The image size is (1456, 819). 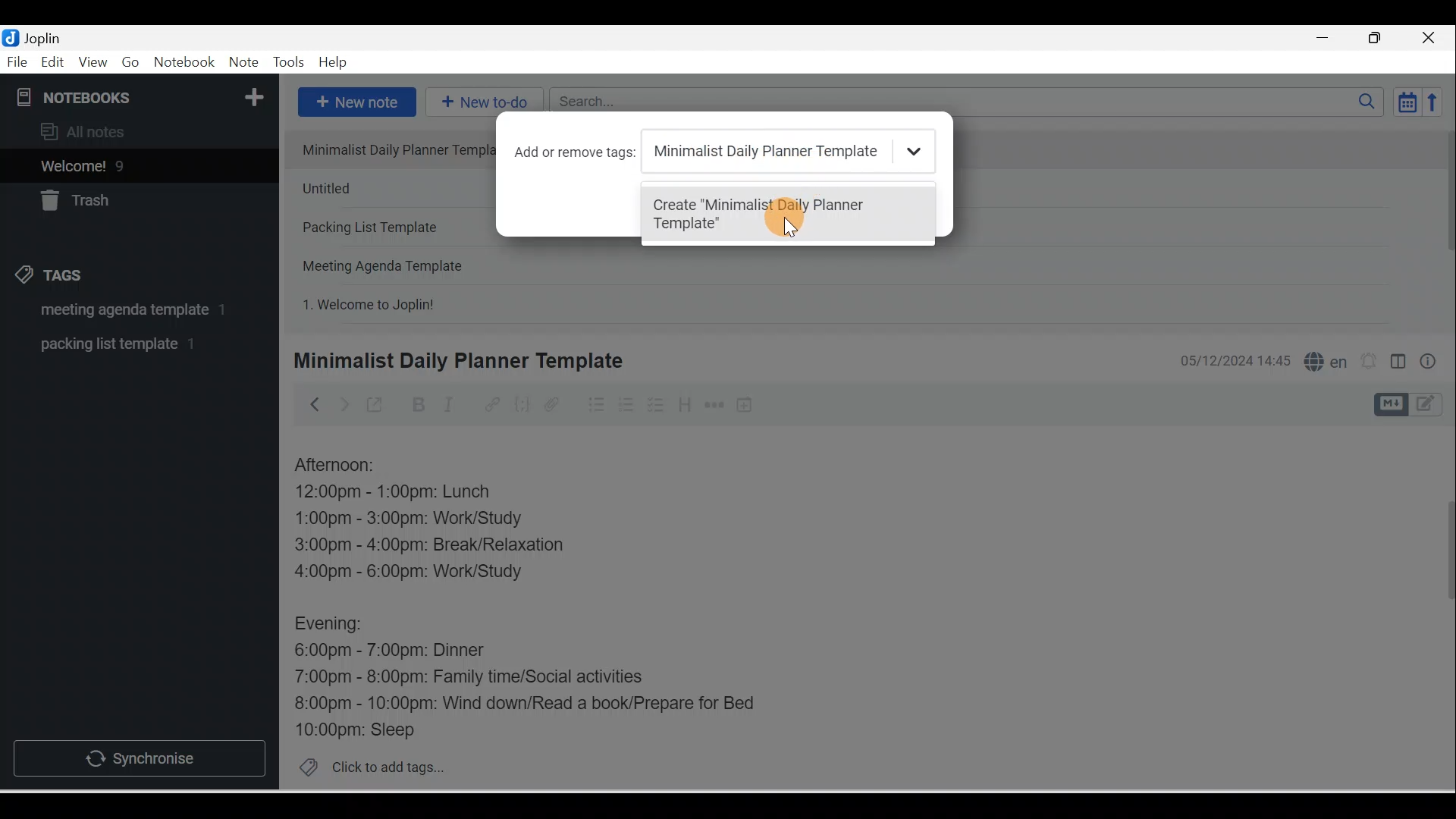 I want to click on Attach file, so click(x=556, y=404).